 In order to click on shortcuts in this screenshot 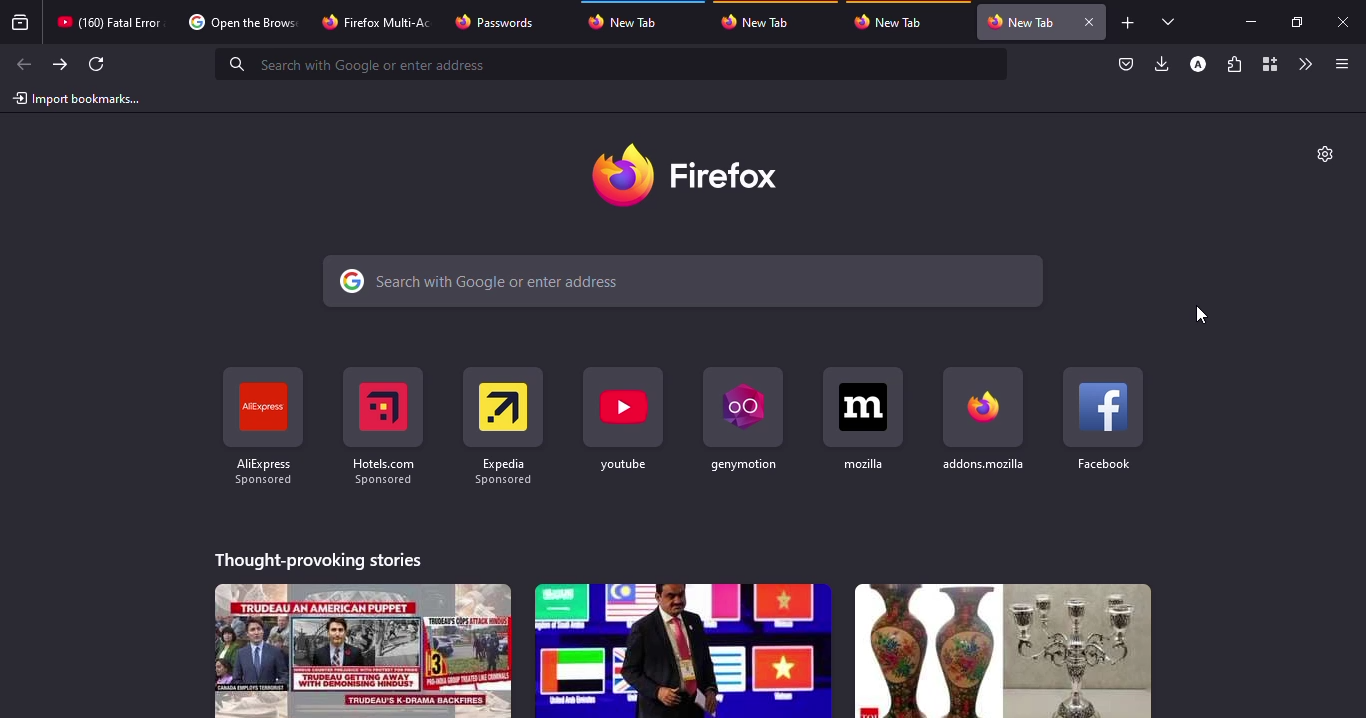, I will do `click(861, 417)`.